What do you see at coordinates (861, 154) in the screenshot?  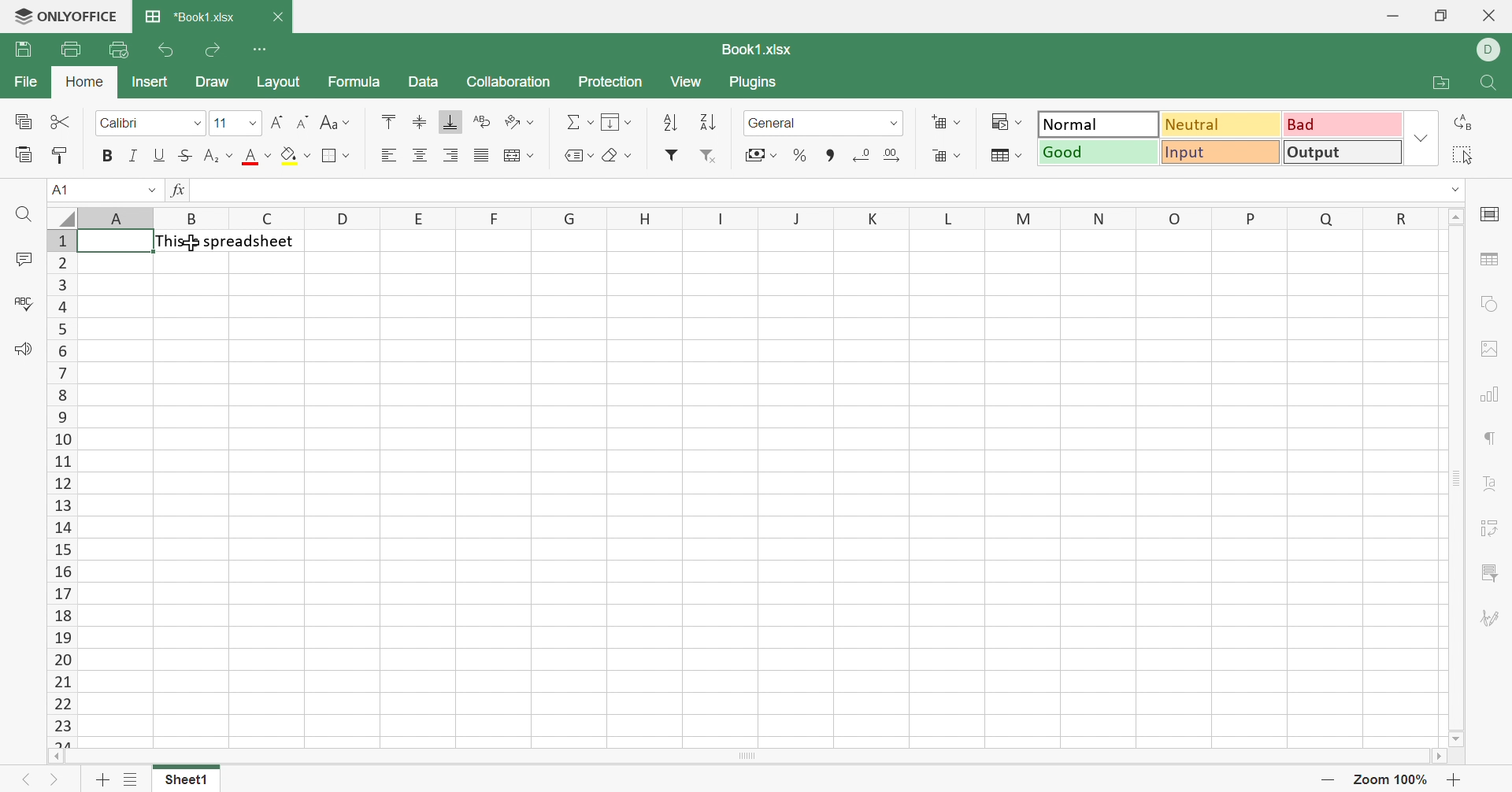 I see `Decrease decimal` at bounding box center [861, 154].